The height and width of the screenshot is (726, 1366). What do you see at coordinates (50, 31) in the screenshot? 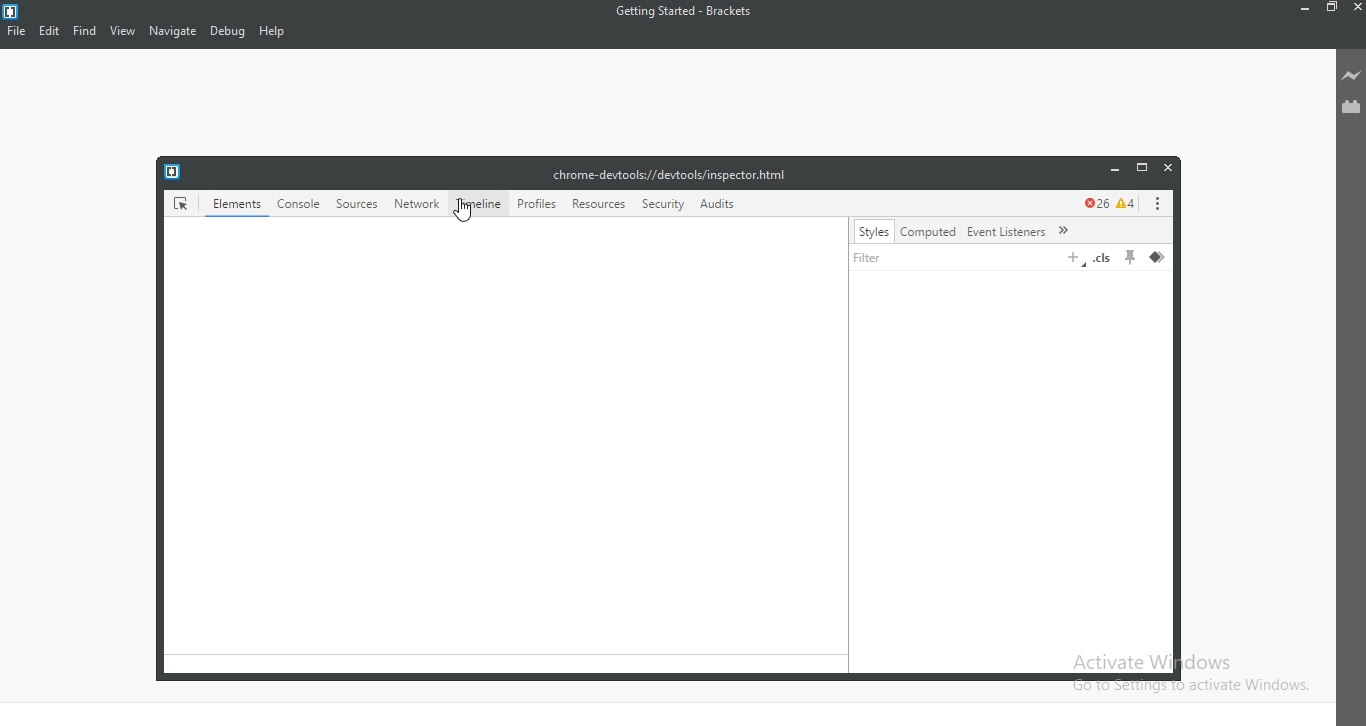
I see `Edit` at bounding box center [50, 31].